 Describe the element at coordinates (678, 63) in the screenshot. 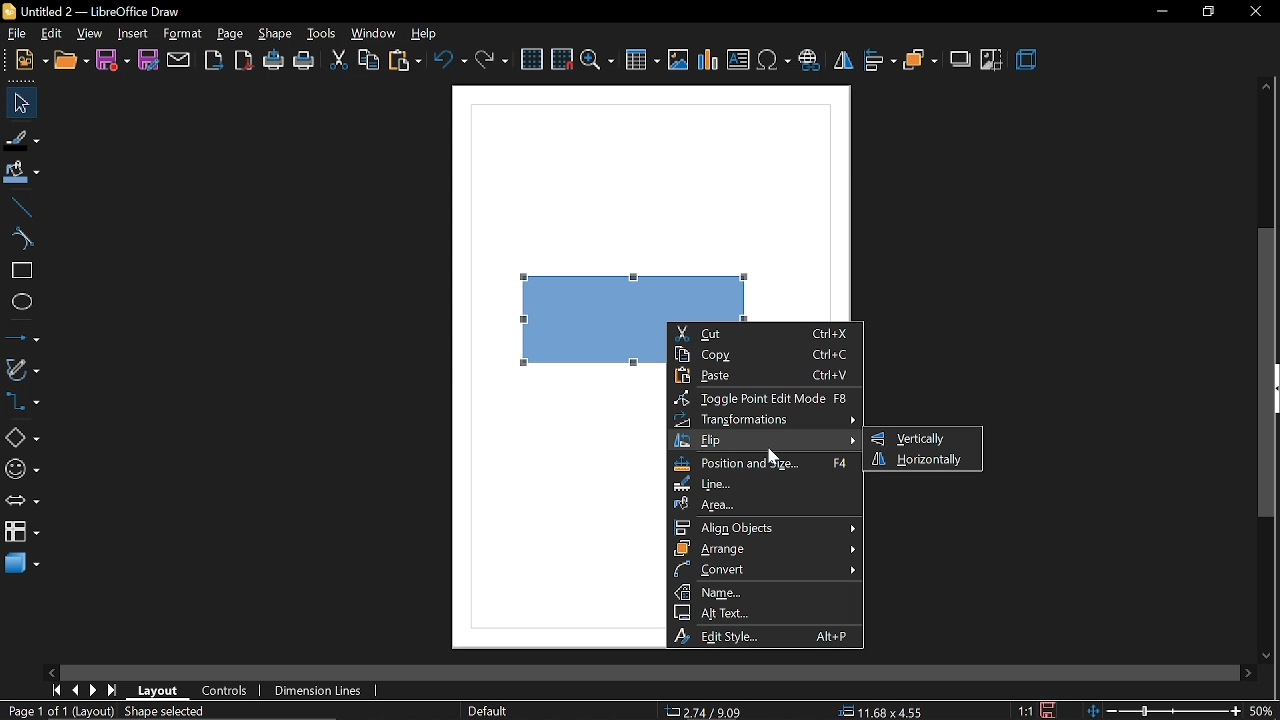

I see `insert image` at that location.